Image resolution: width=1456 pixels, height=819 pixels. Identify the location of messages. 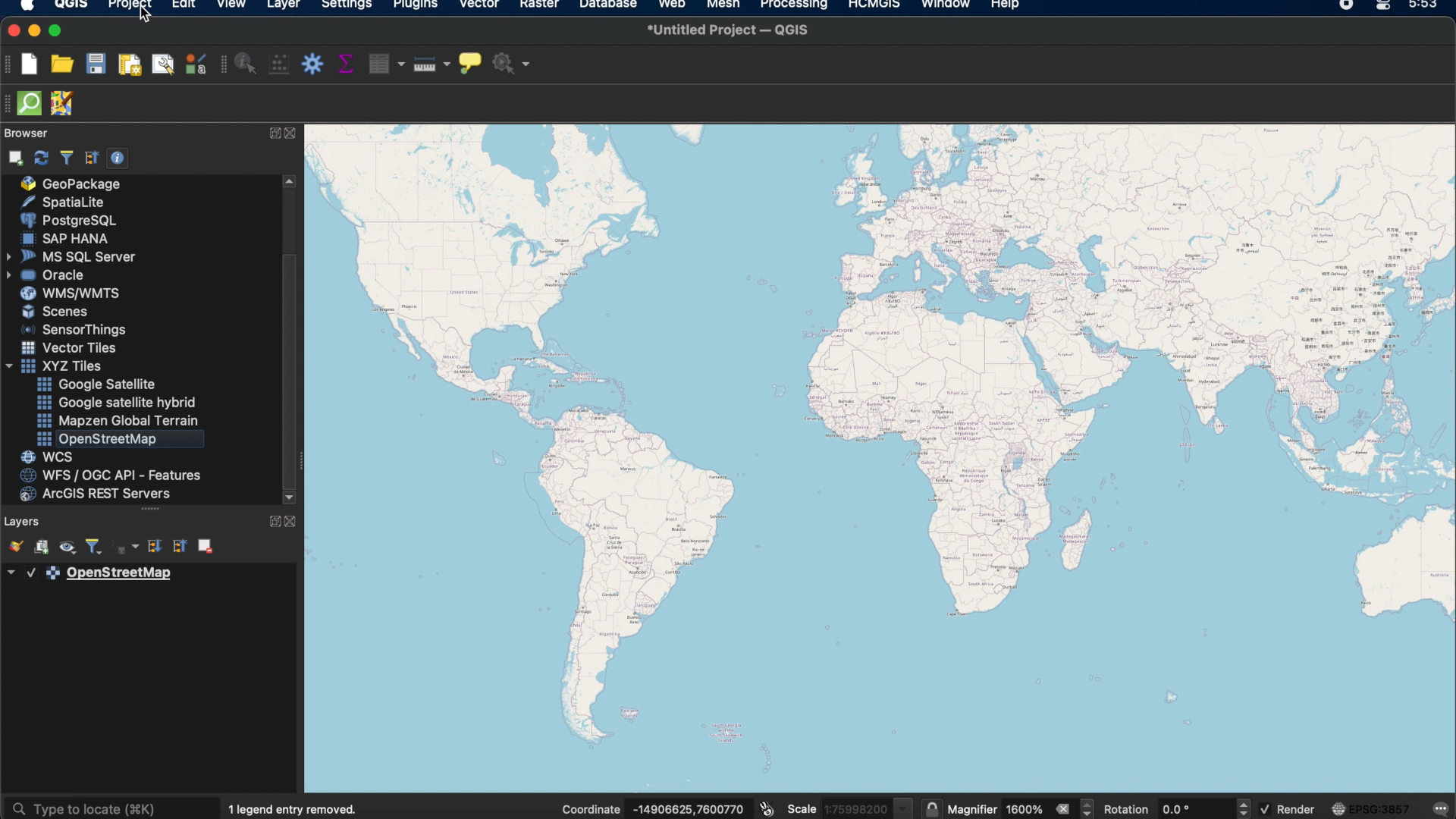
(1441, 807).